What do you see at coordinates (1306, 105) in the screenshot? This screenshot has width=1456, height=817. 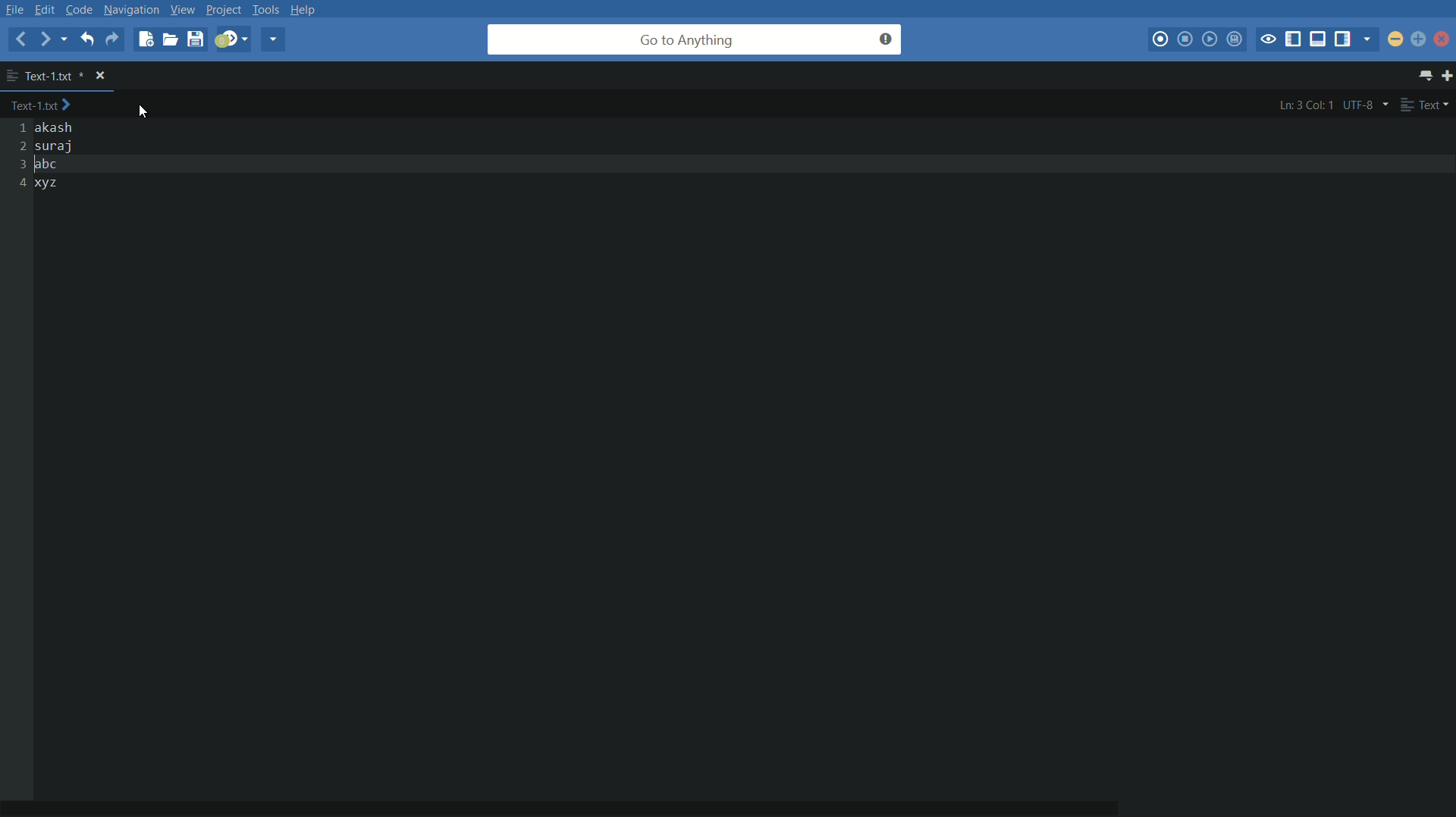 I see `ln:4 col:4` at bounding box center [1306, 105].